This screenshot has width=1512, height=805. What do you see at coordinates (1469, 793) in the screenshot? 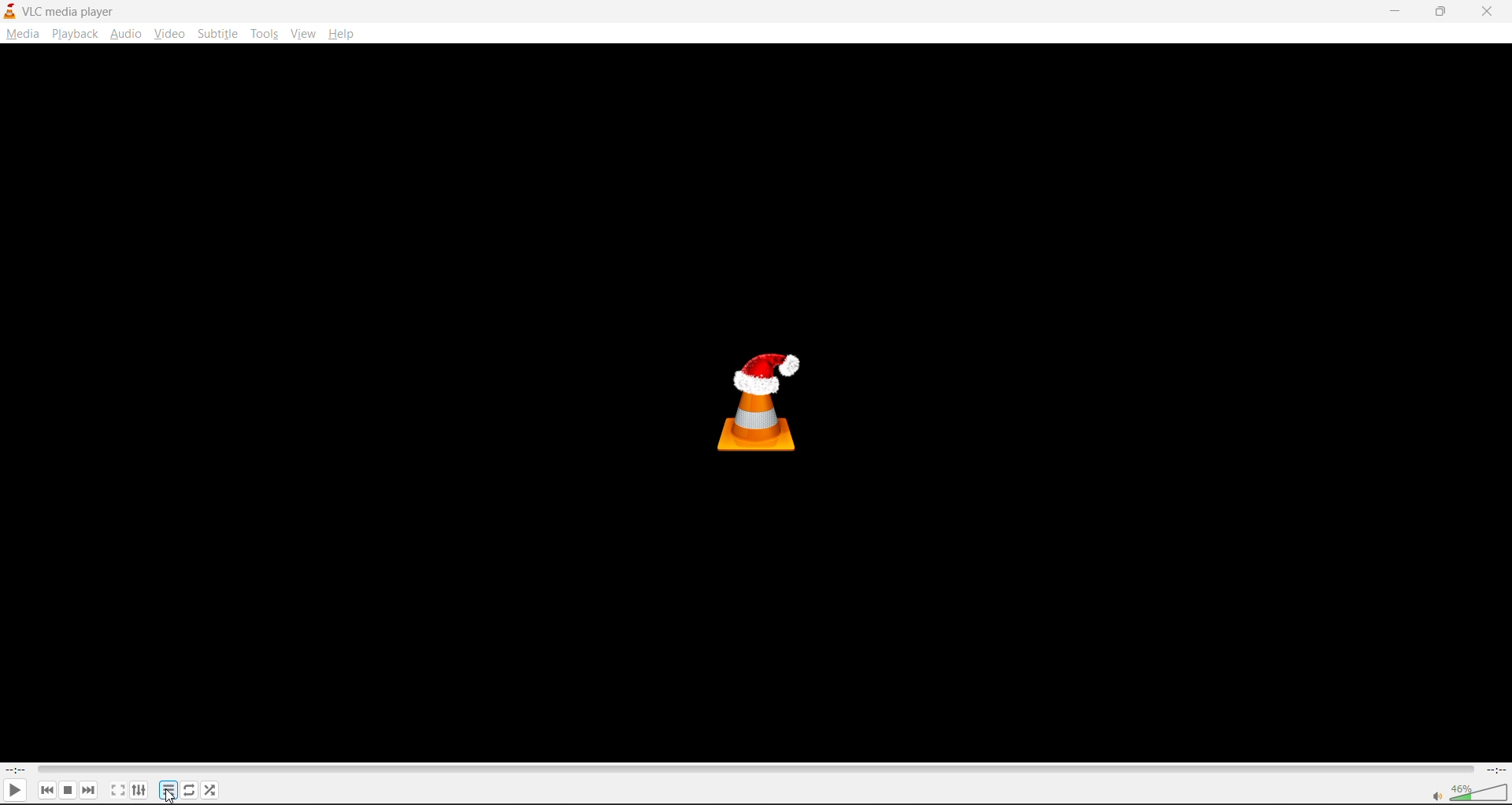
I see `volume` at bounding box center [1469, 793].